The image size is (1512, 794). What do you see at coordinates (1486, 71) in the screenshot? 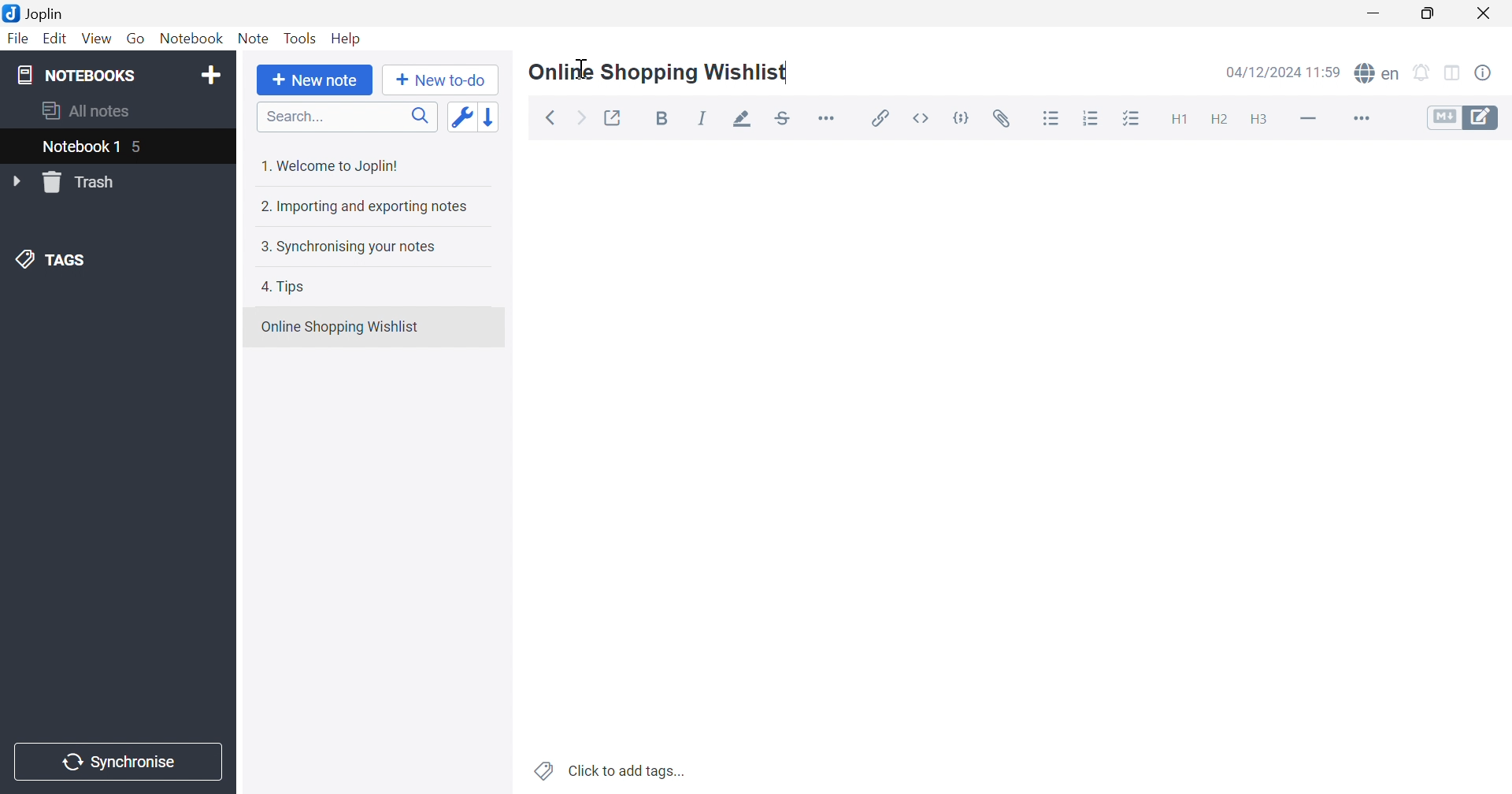
I see `Note properties` at bounding box center [1486, 71].